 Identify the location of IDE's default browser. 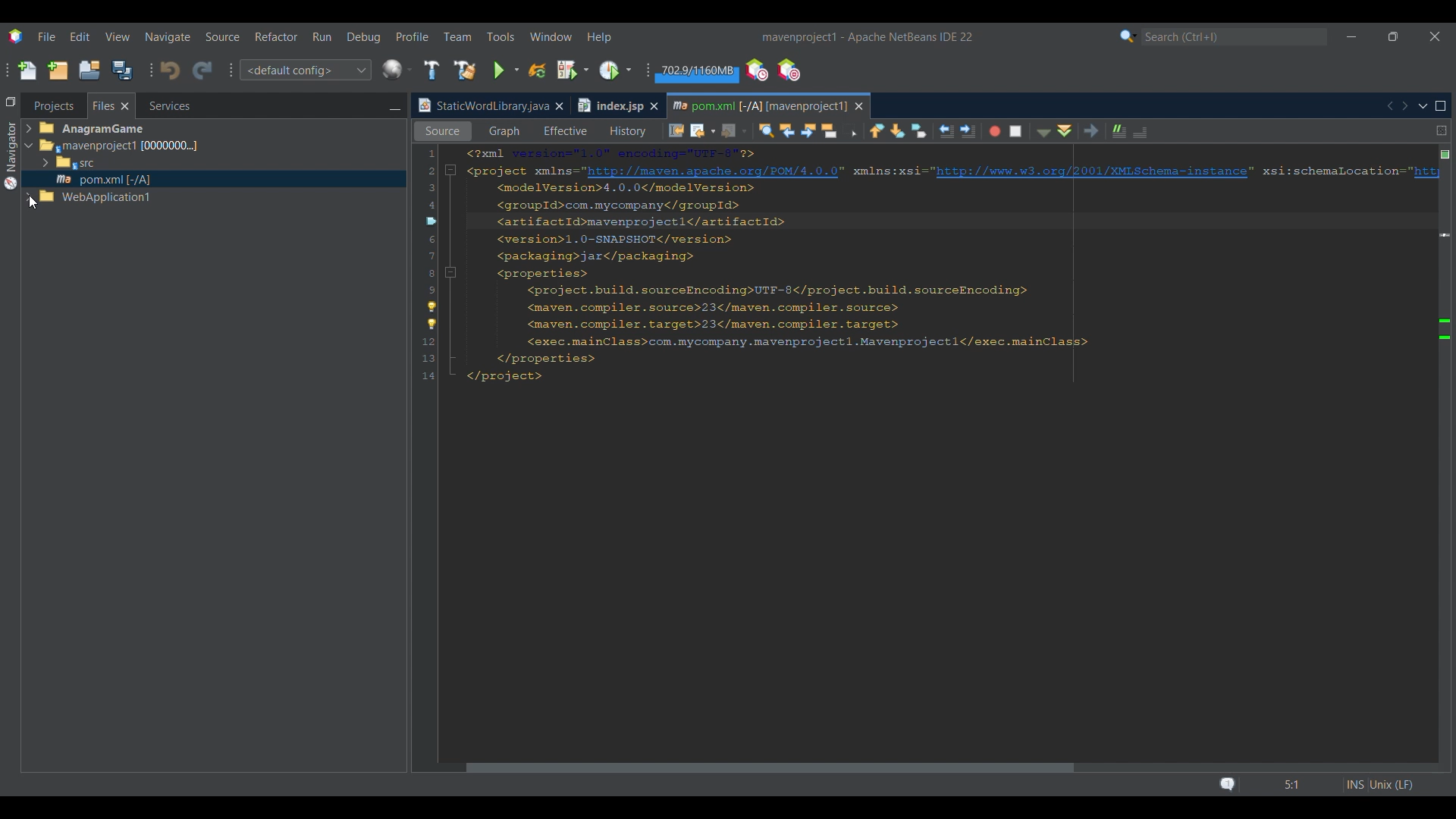
(397, 70).